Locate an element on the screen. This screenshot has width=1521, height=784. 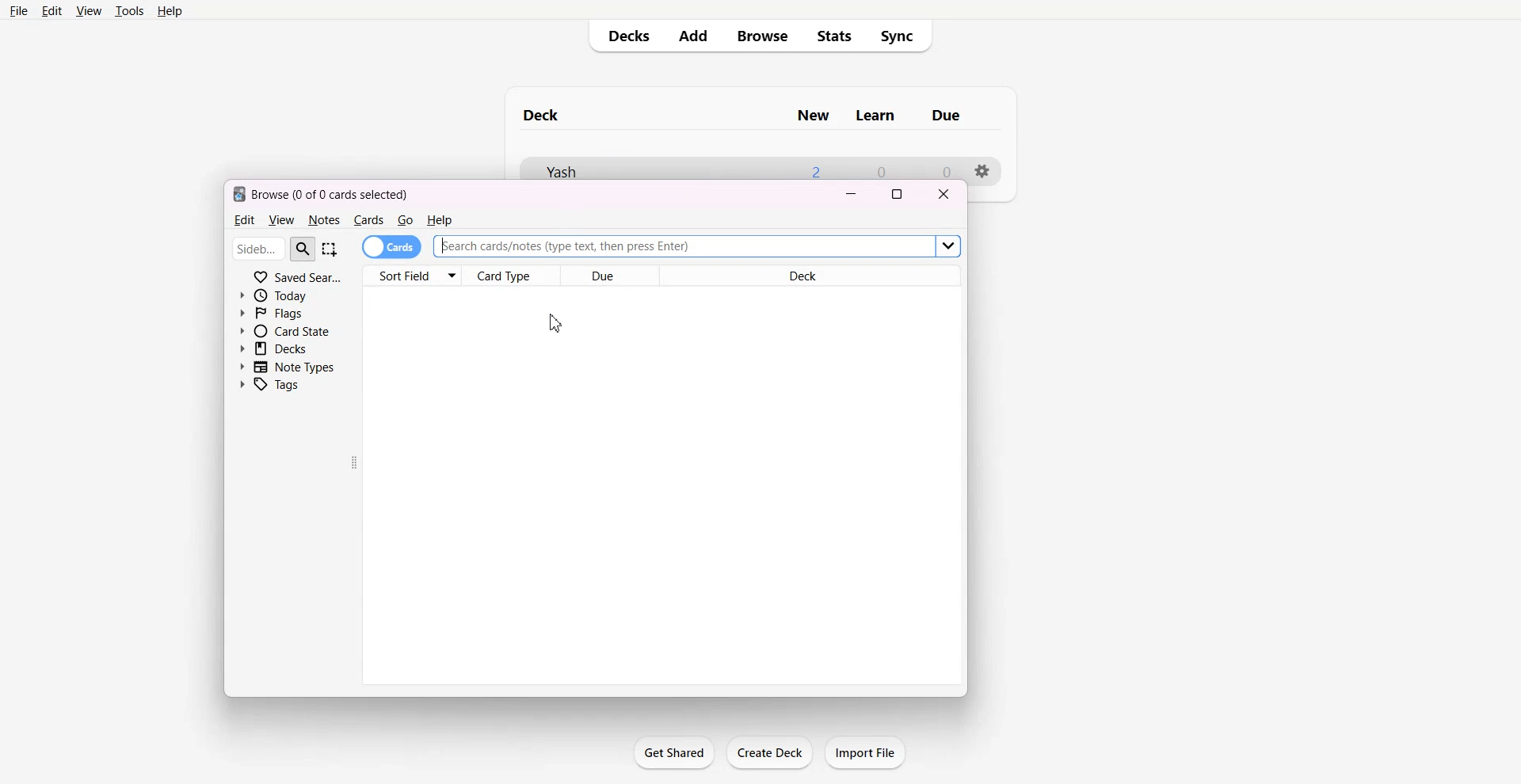
Add is located at coordinates (698, 37).